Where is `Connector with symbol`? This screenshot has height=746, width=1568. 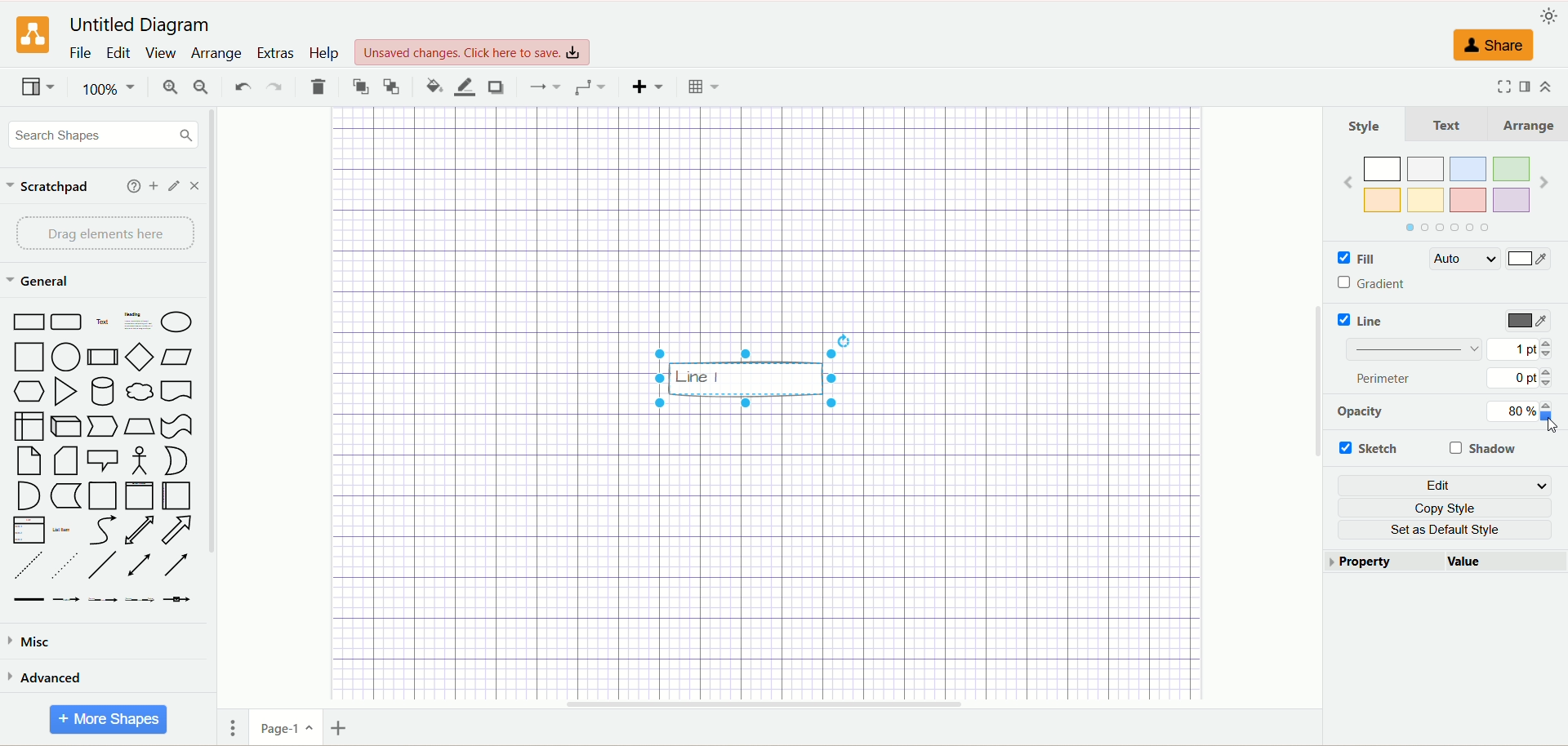 Connector with symbol is located at coordinates (176, 600).